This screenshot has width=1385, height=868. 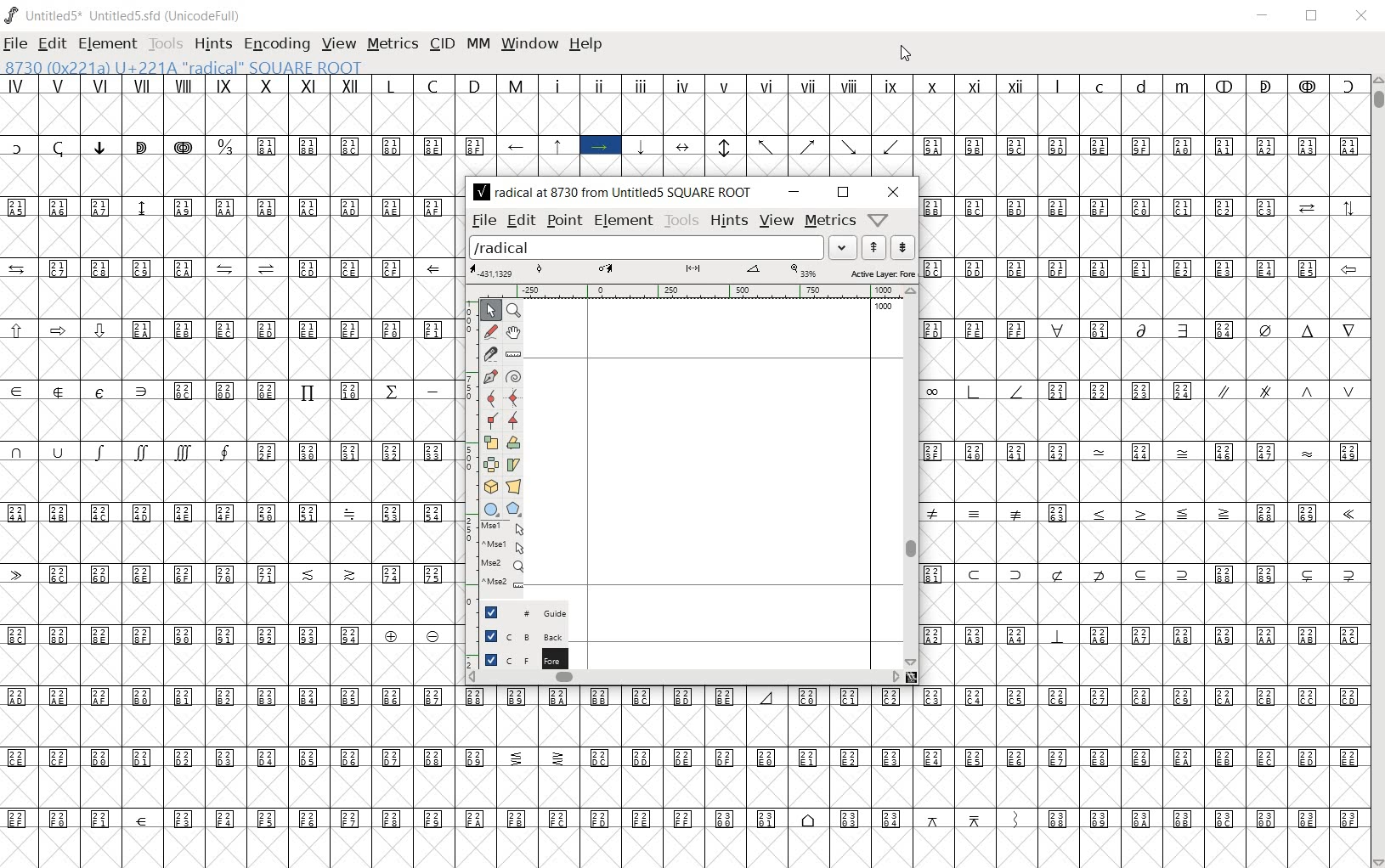 I want to click on tools, so click(x=680, y=219).